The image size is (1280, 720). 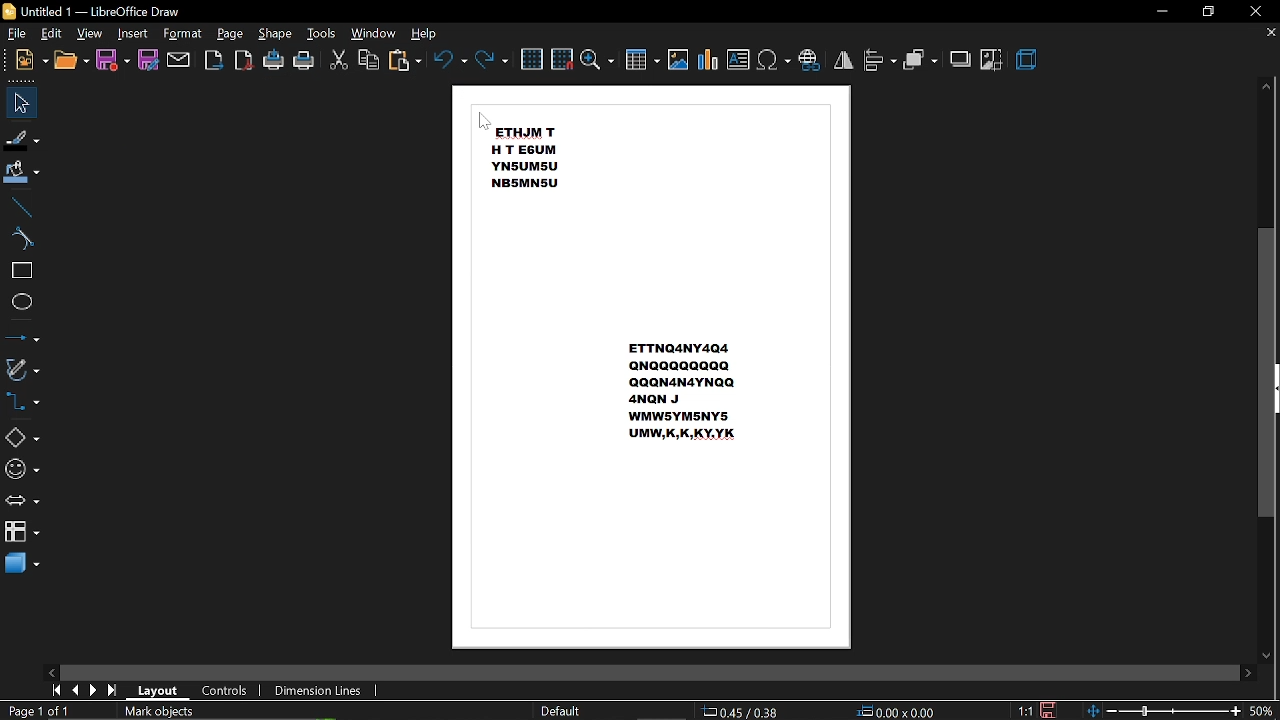 What do you see at coordinates (643, 62) in the screenshot?
I see `insert table` at bounding box center [643, 62].